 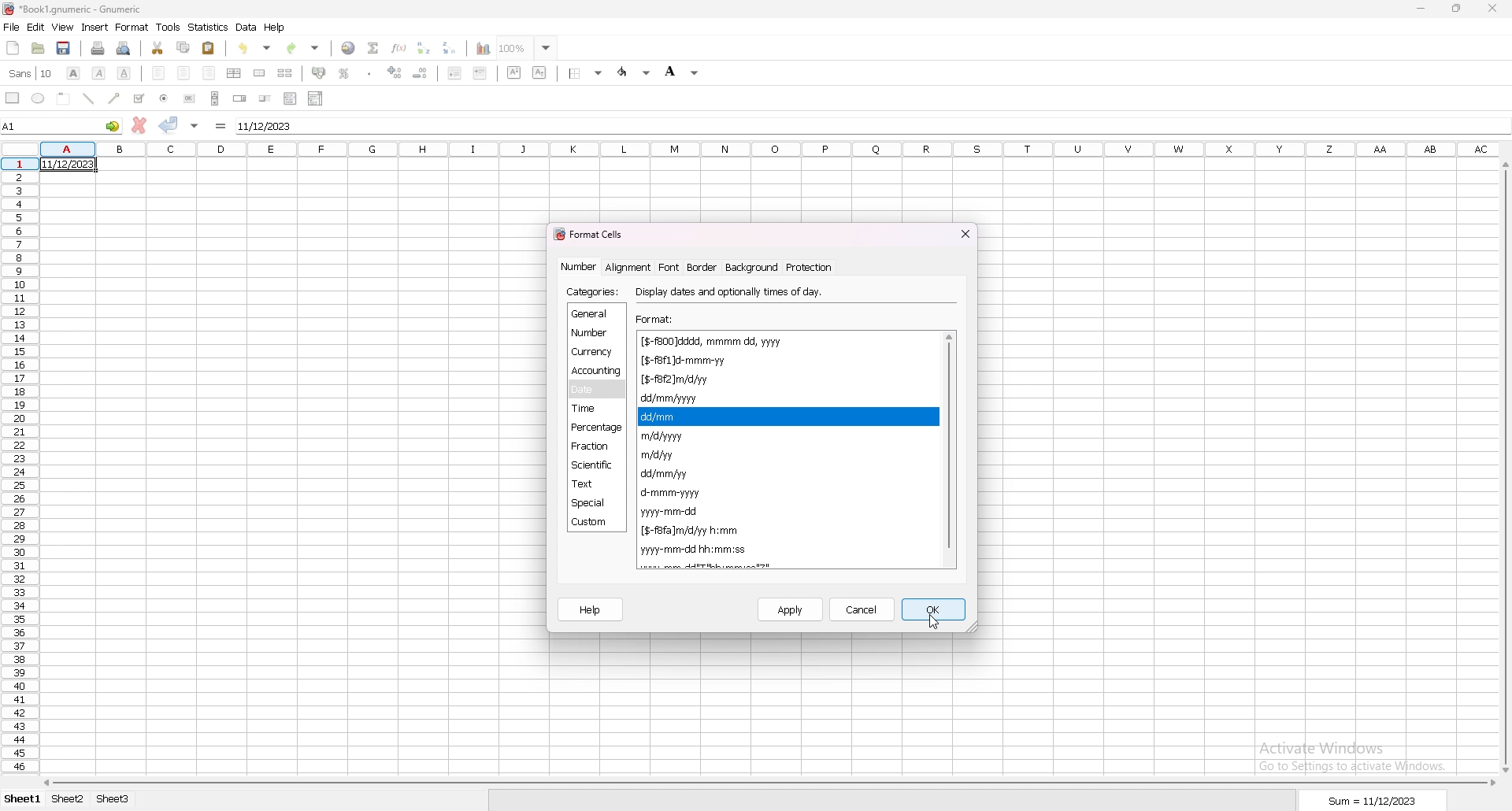 I want to click on dd/mm/yyyy, so click(x=673, y=398).